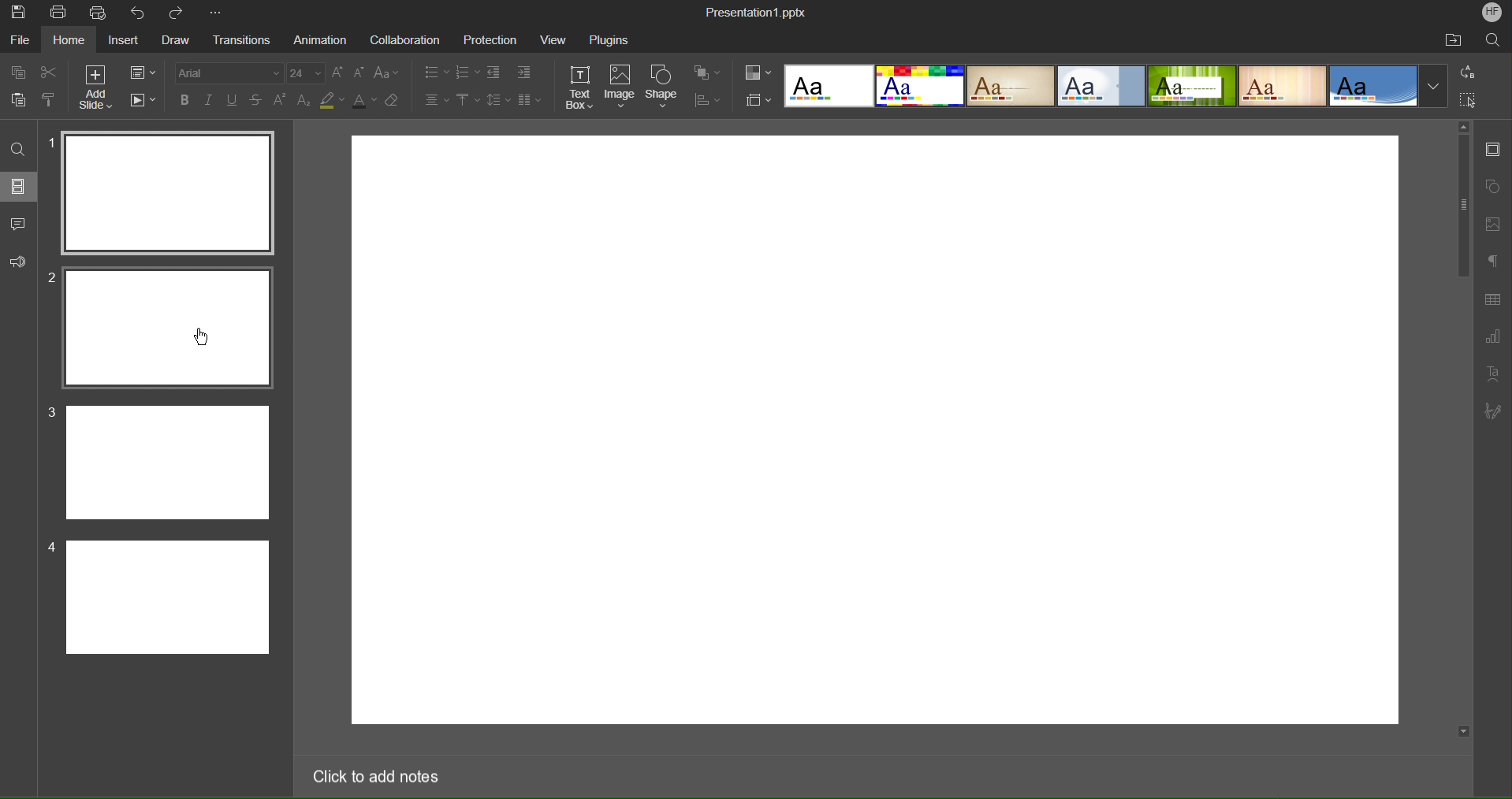 Image resolution: width=1512 pixels, height=799 pixels. I want to click on change case, so click(388, 72).